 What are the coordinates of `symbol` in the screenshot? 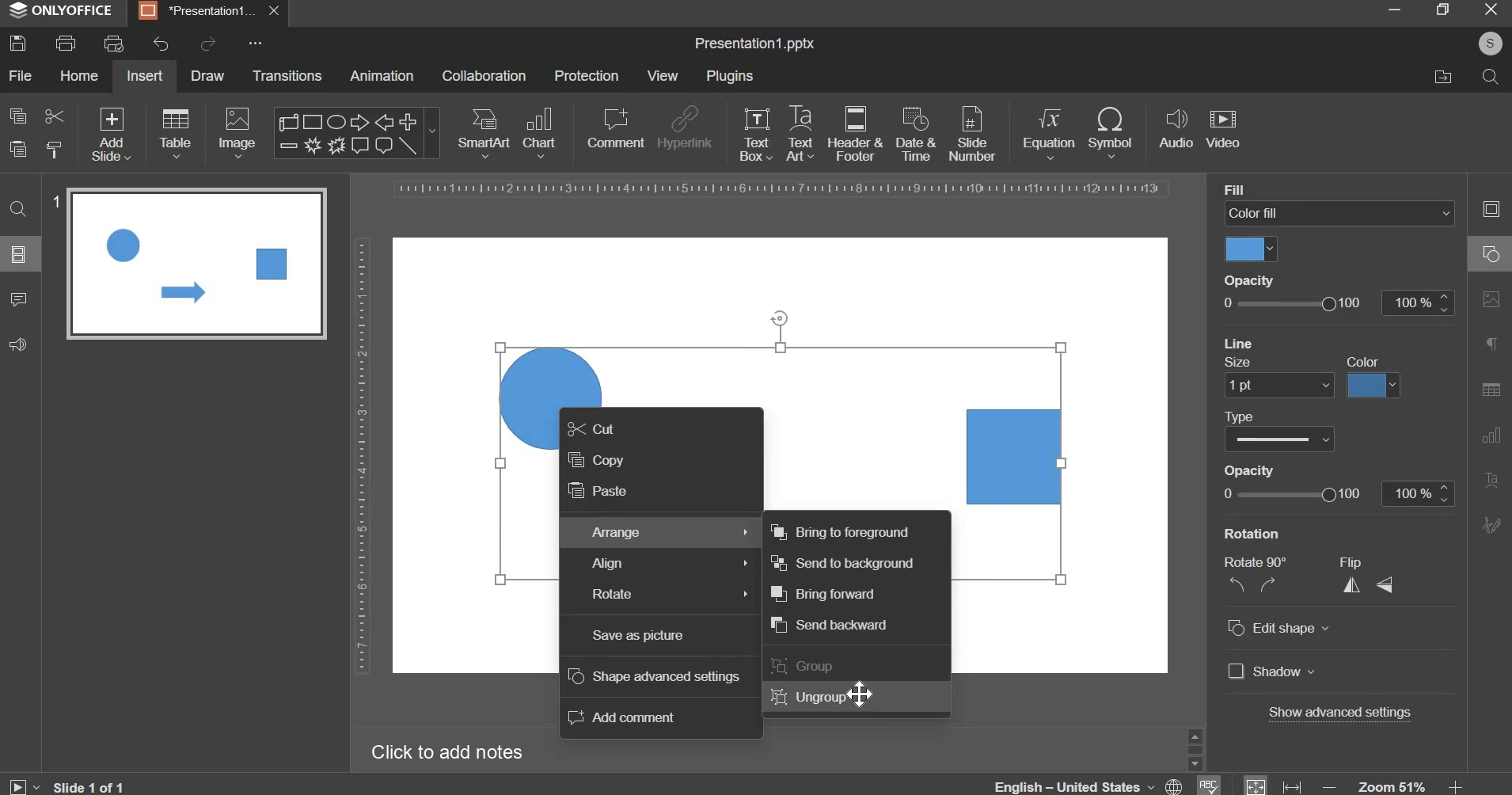 It's located at (1110, 131).